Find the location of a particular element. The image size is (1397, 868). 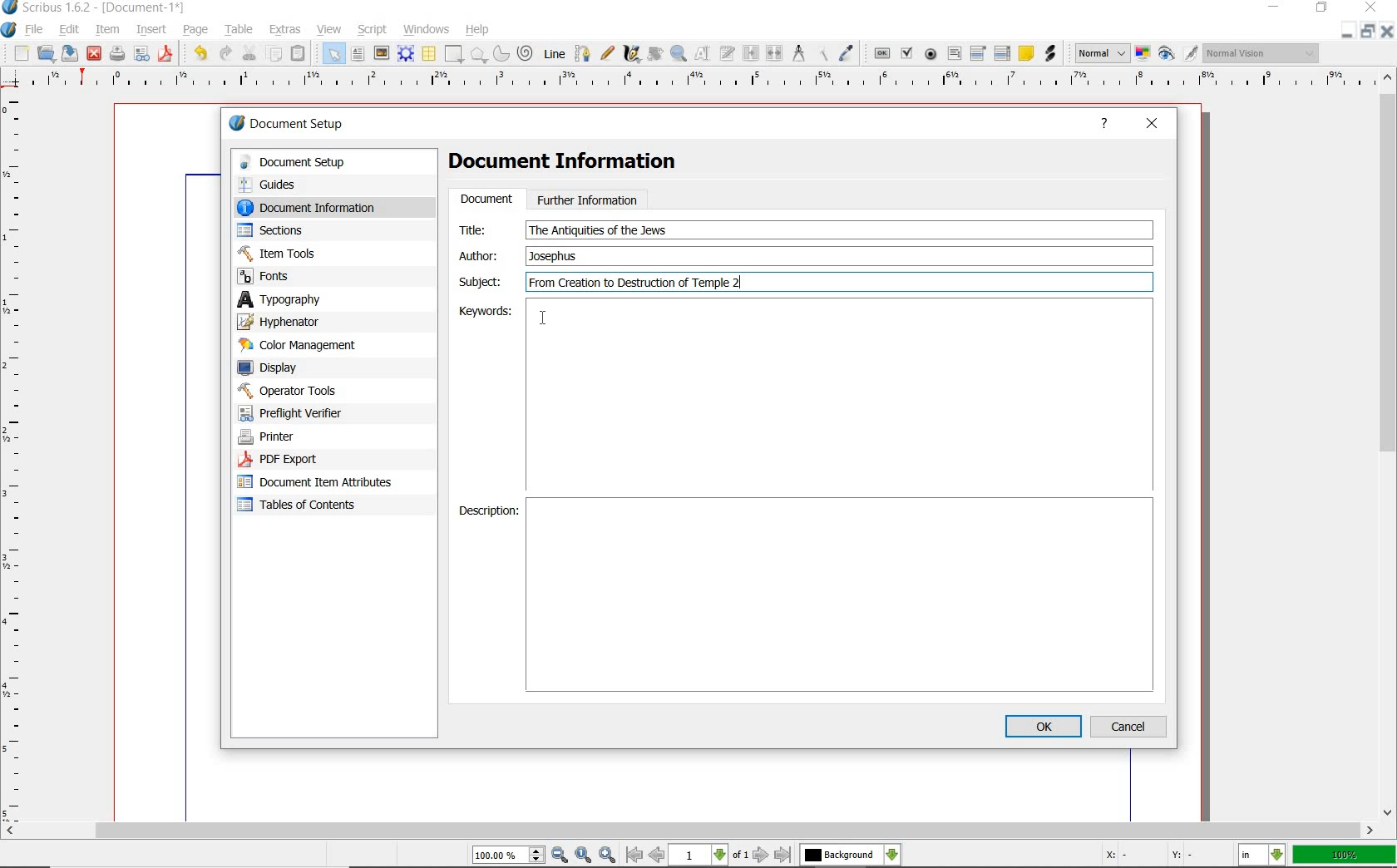

calligraphic line is located at coordinates (632, 55).